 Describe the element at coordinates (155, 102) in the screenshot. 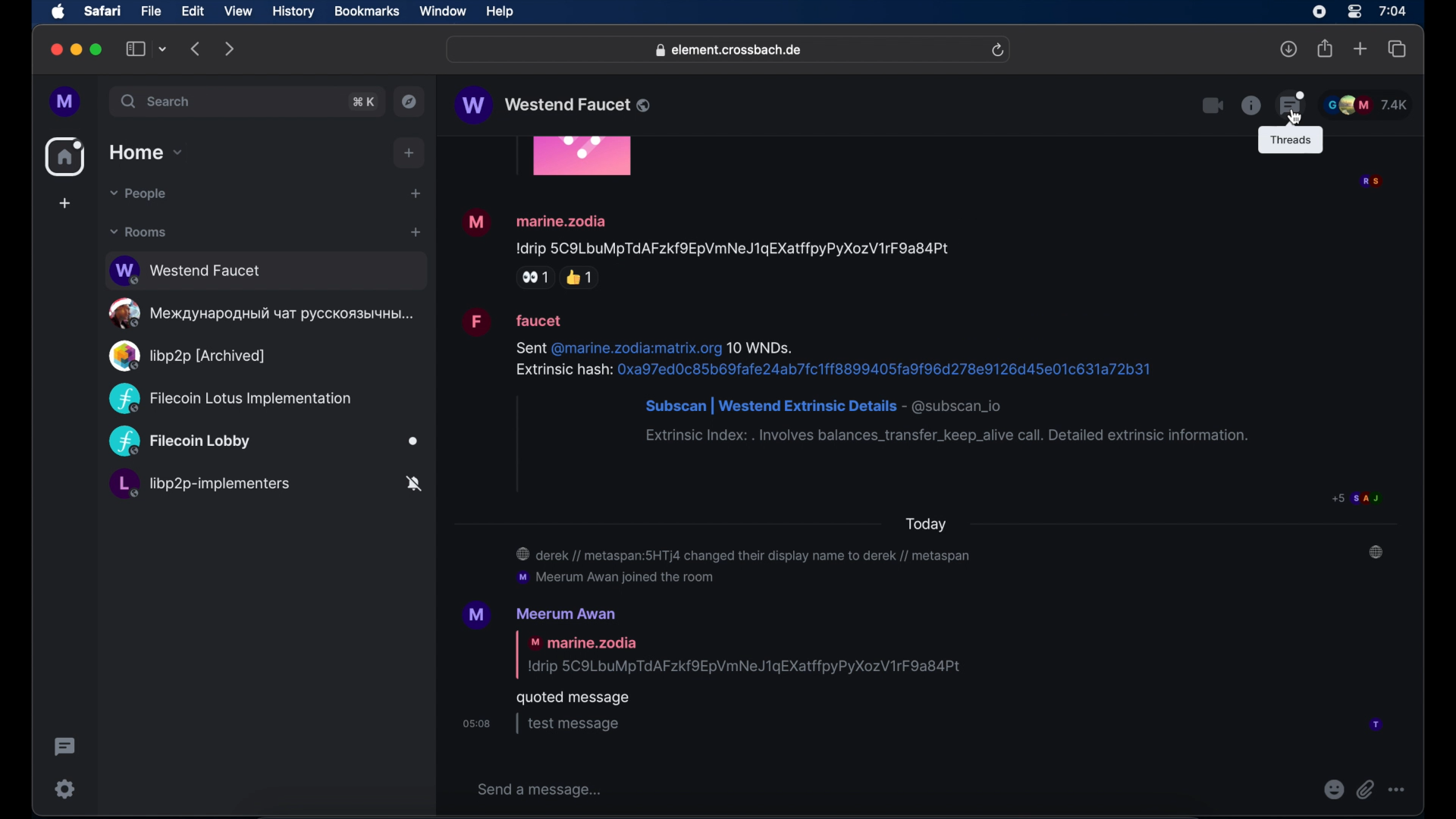

I see `search` at that location.